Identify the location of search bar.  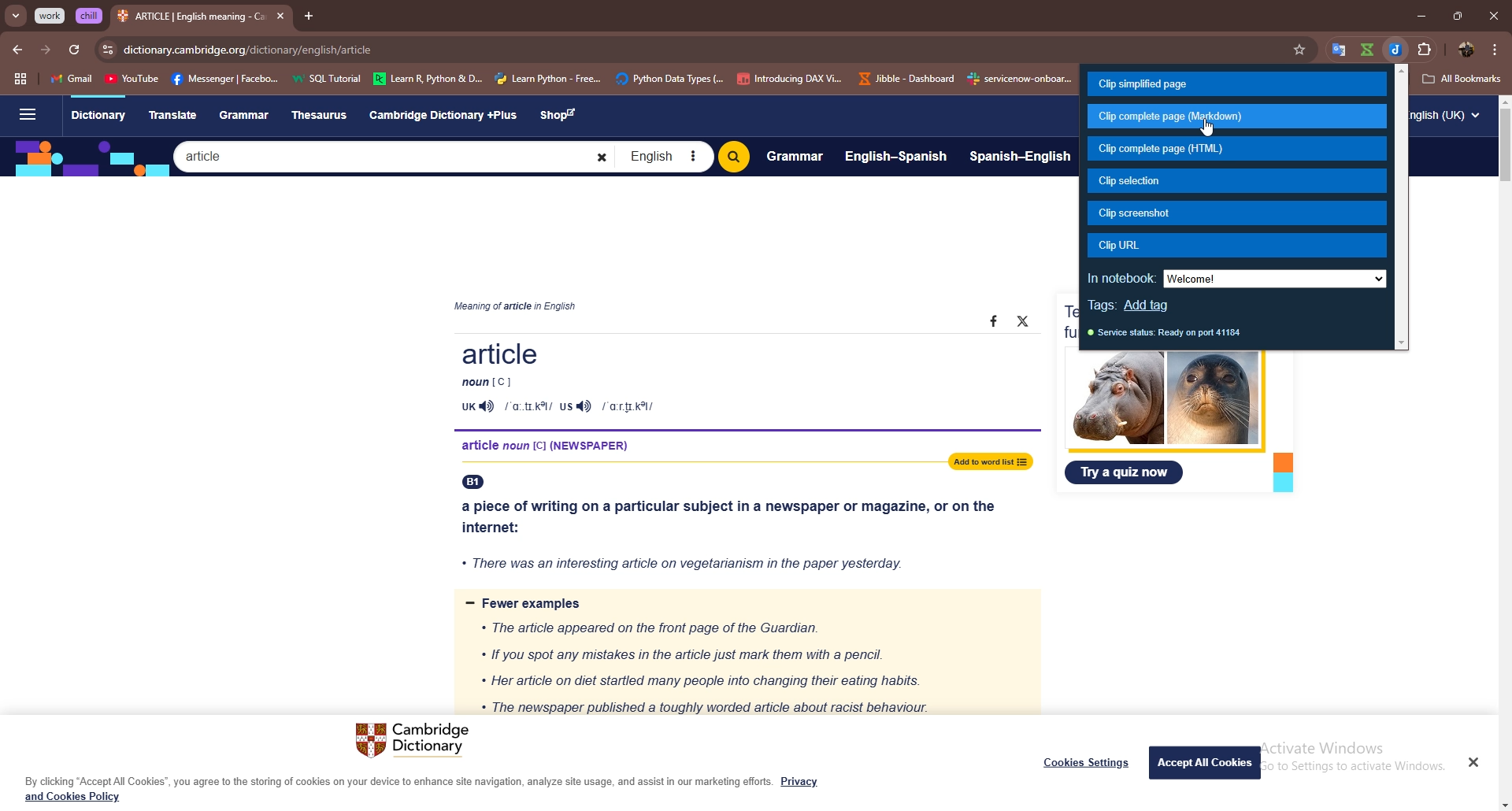
(720, 50).